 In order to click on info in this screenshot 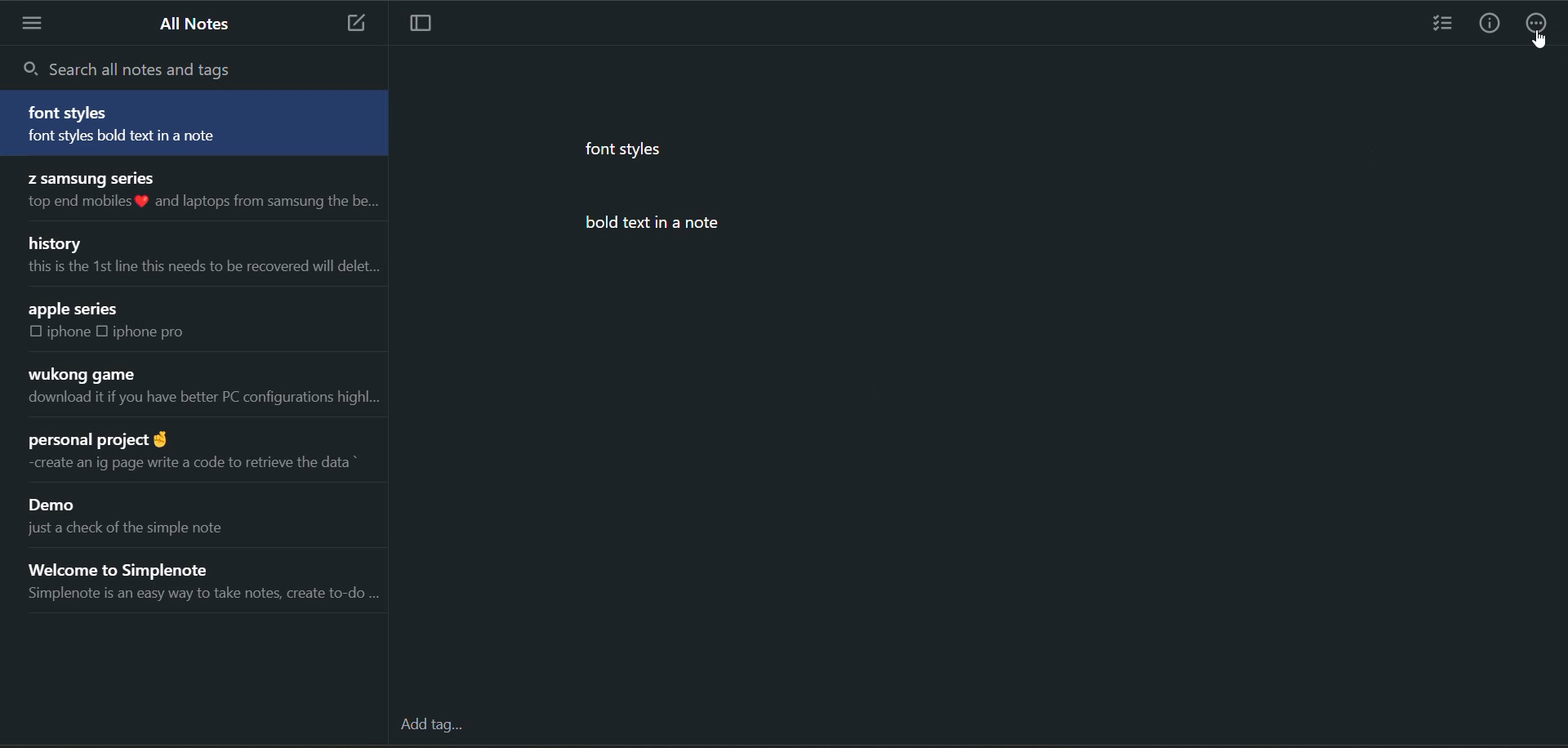, I will do `click(1489, 25)`.